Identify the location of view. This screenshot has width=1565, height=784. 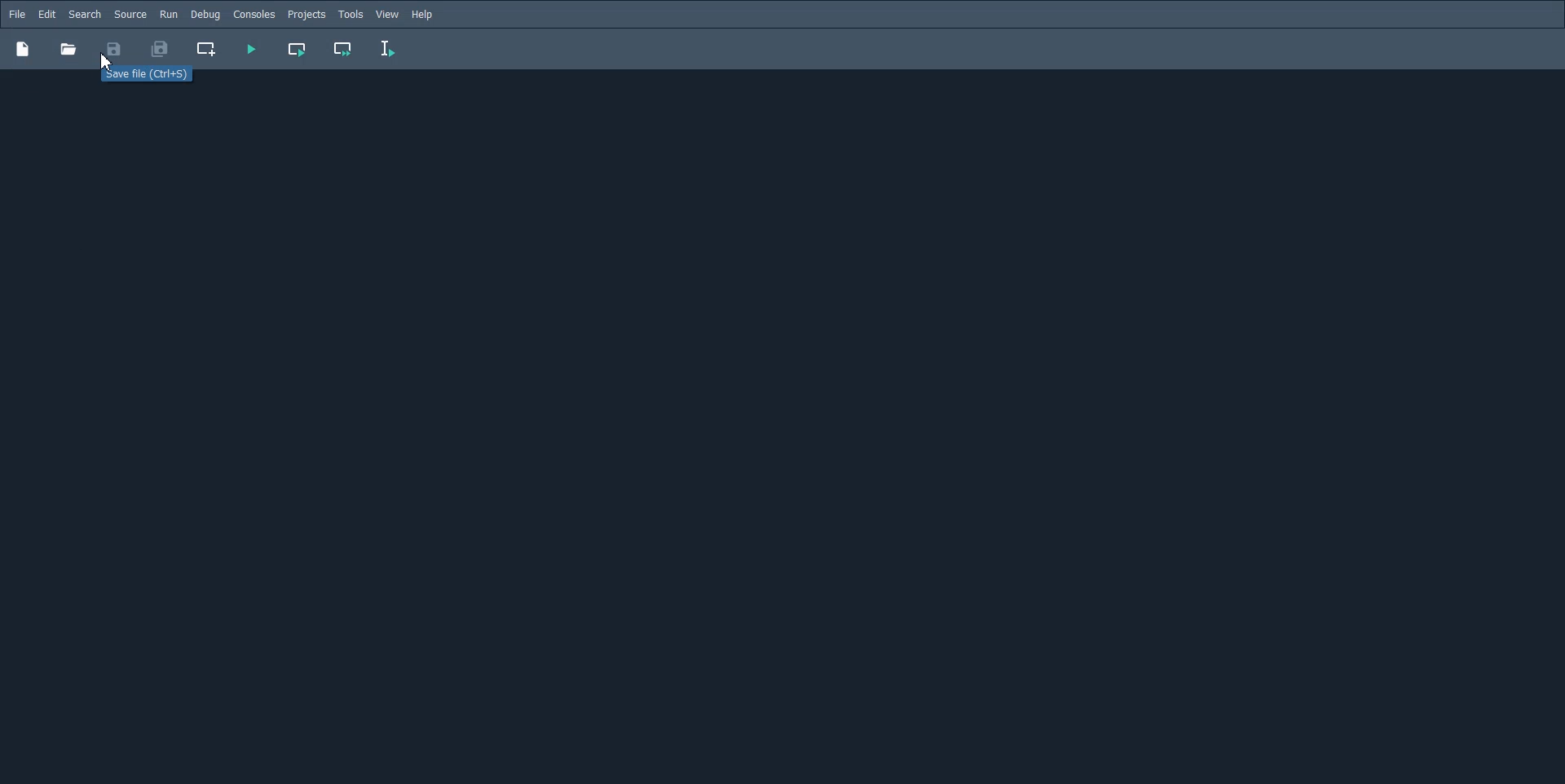
(388, 15).